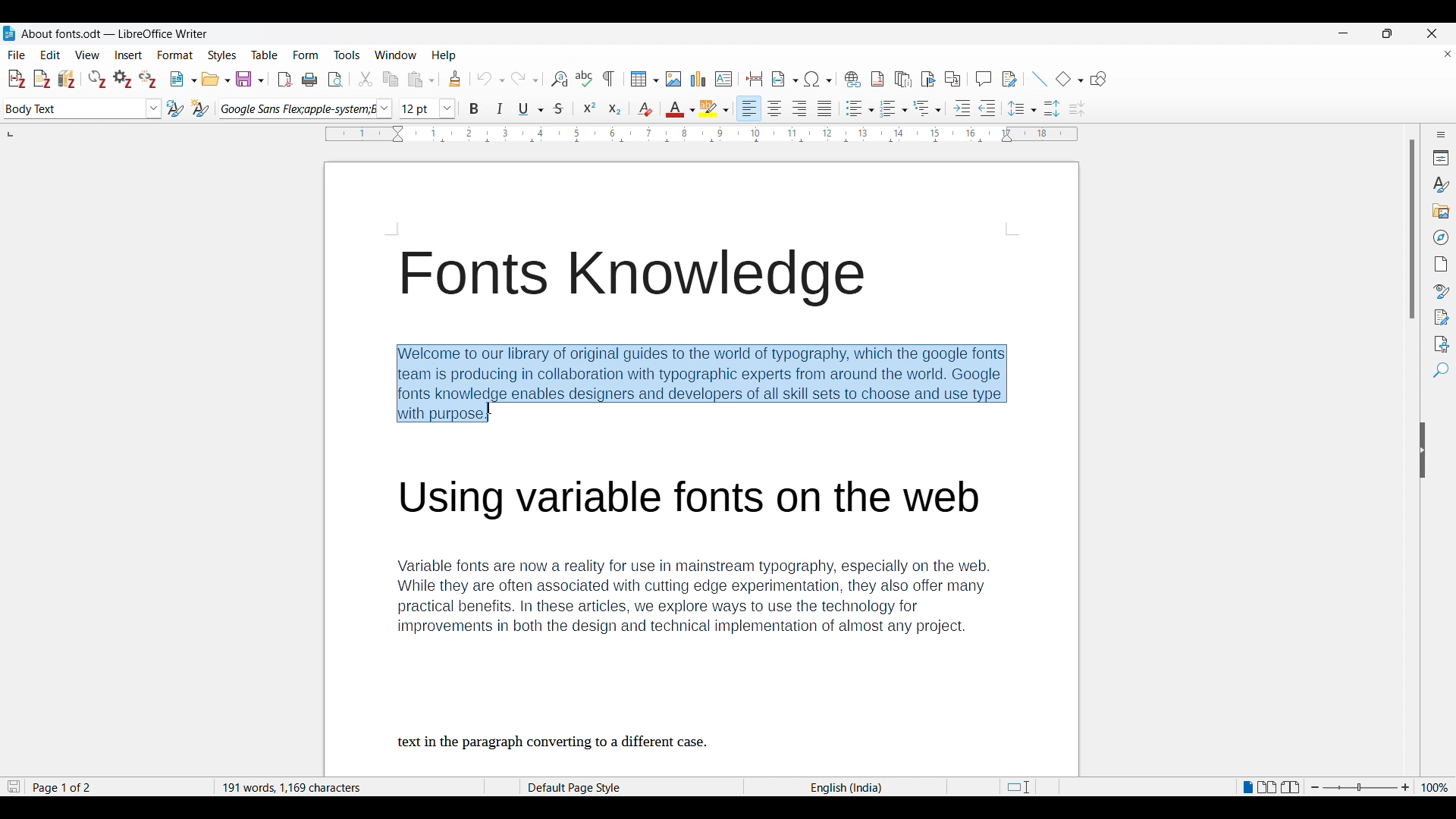 The width and height of the screenshot is (1456, 819). What do you see at coordinates (474, 108) in the screenshot?
I see `Bold` at bounding box center [474, 108].